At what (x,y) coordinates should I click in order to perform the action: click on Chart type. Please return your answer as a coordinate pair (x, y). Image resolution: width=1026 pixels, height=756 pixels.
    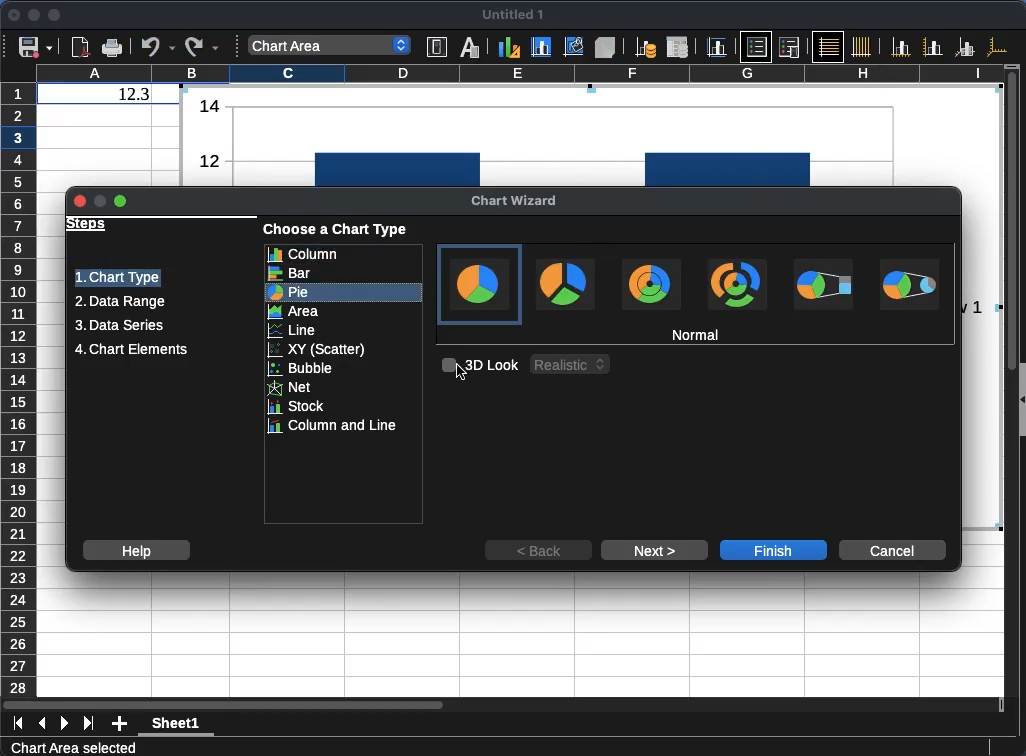
    Looking at the image, I should click on (509, 46).